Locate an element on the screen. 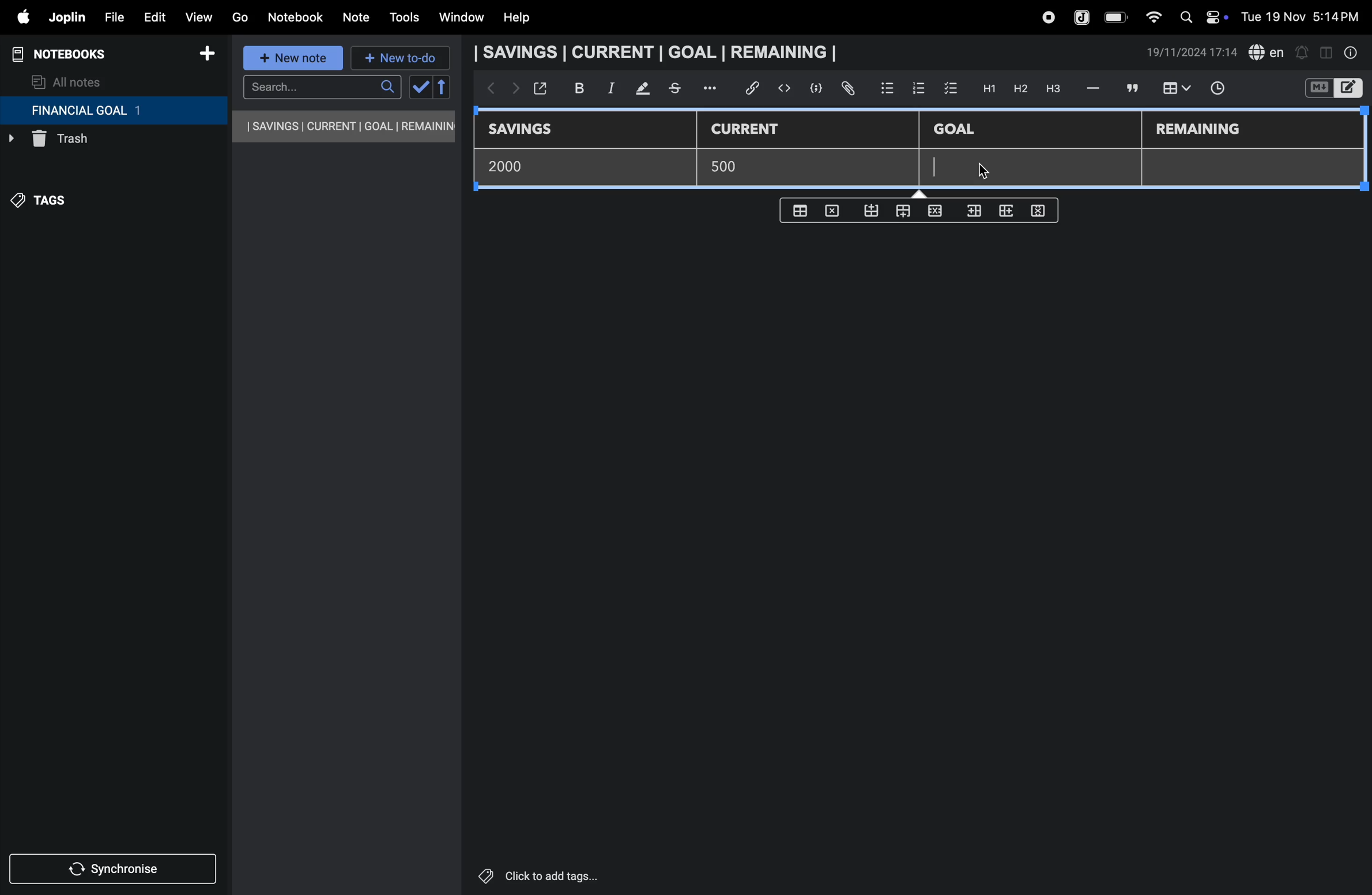 The width and height of the screenshot is (1372, 895). 2000 is located at coordinates (514, 166).